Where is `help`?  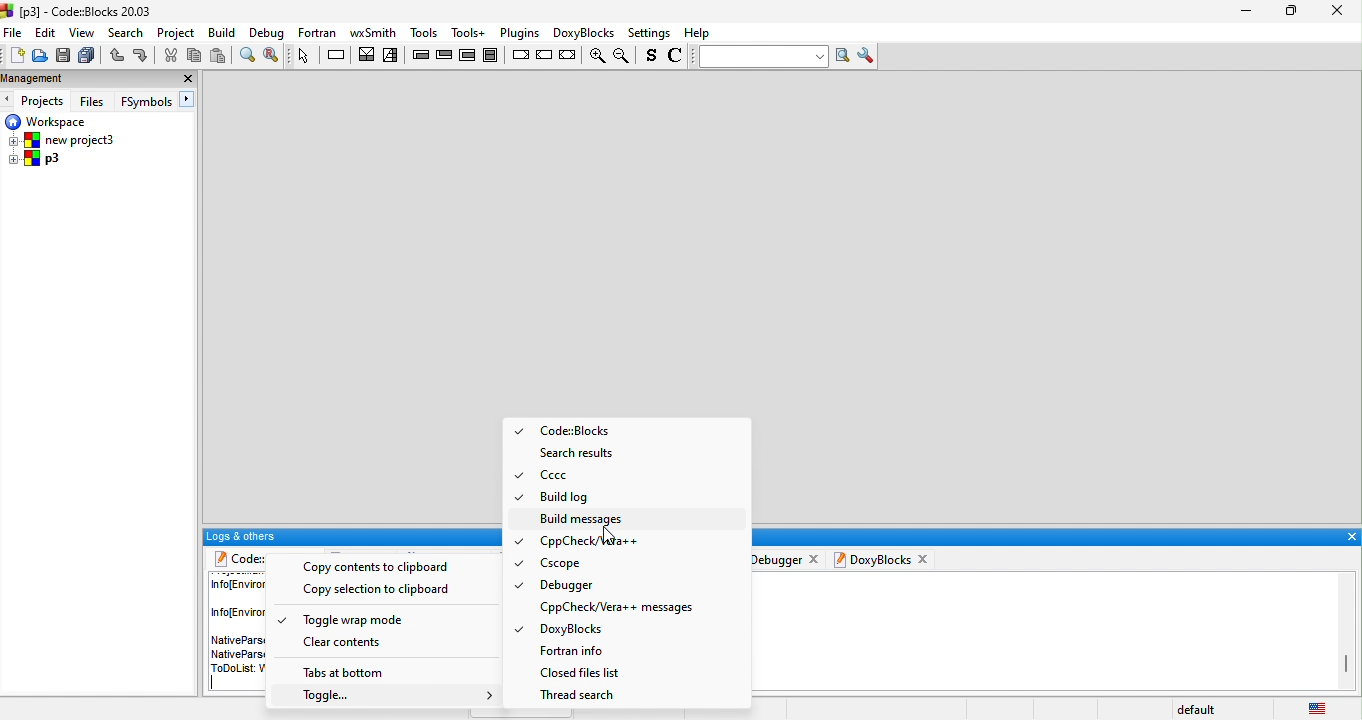
help is located at coordinates (700, 33).